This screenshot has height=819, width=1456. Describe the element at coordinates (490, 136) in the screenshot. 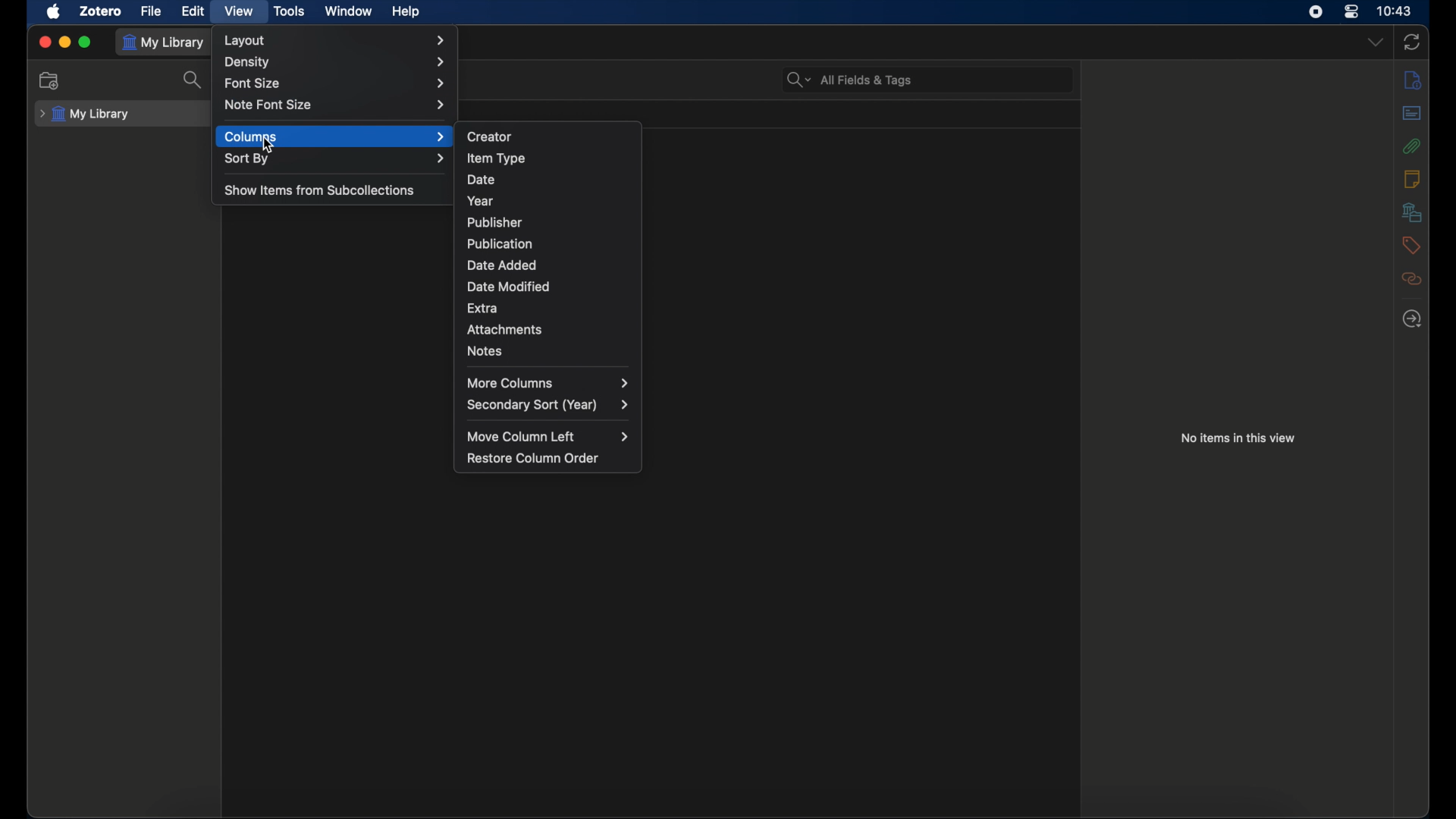

I see `creator` at that location.